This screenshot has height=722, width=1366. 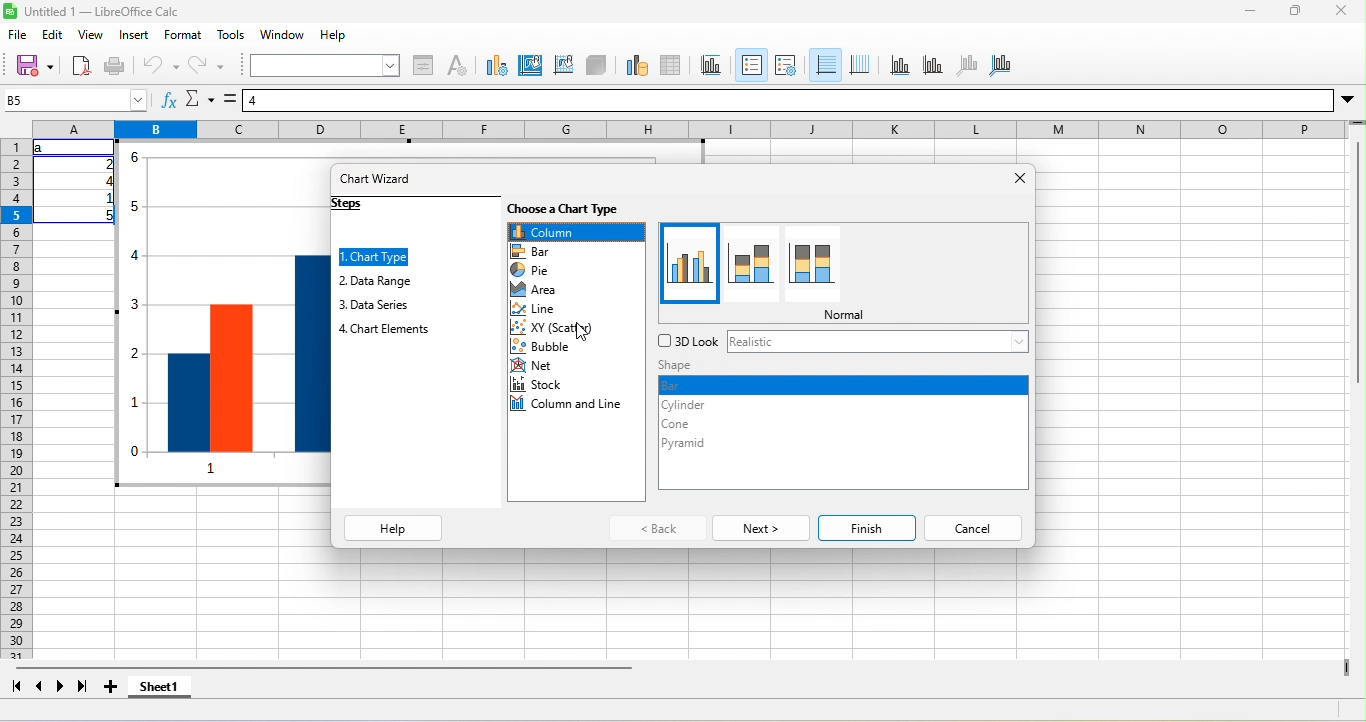 I want to click on maximize, so click(x=1295, y=10).